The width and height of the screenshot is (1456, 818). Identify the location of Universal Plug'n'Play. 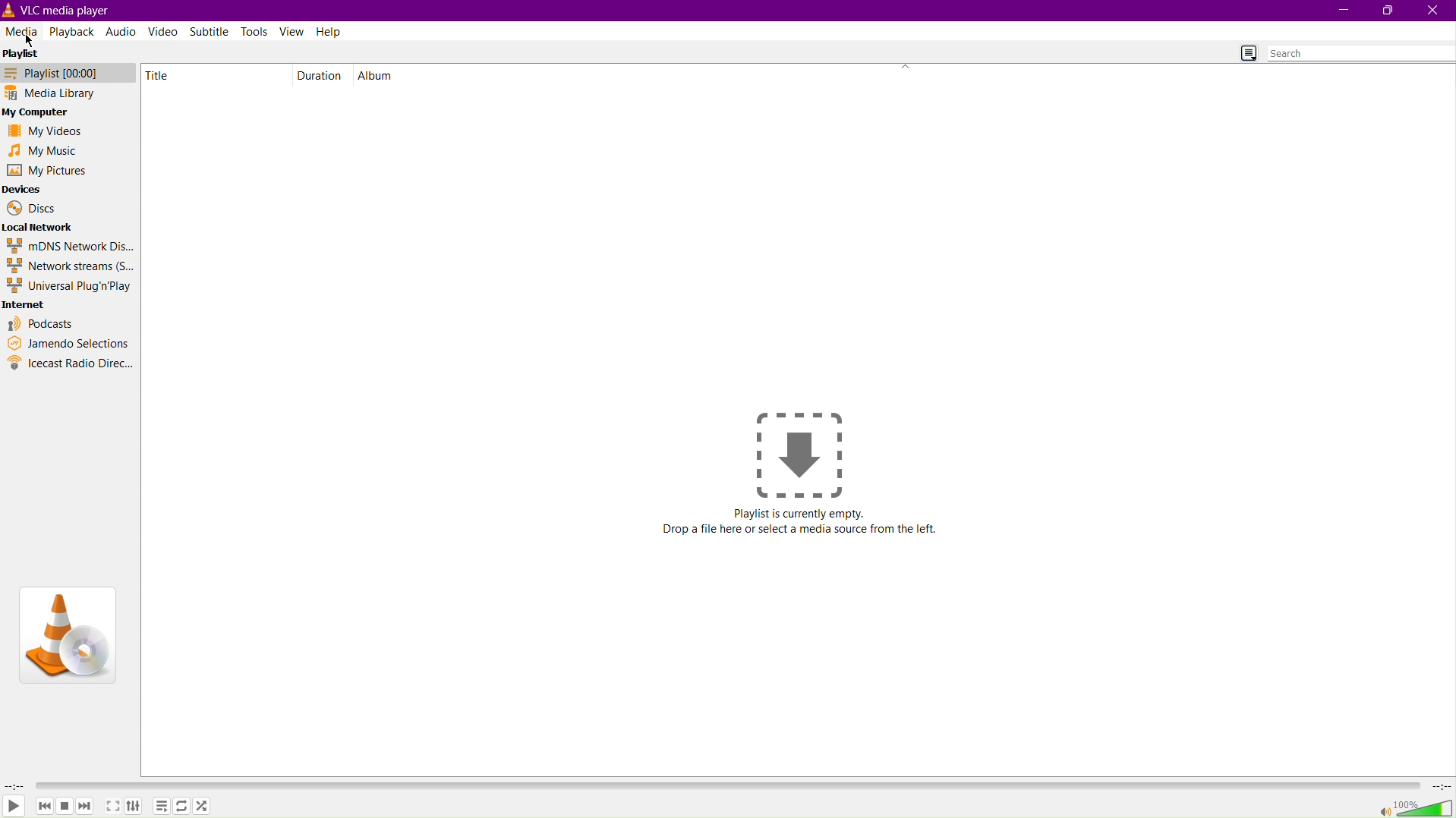
(70, 288).